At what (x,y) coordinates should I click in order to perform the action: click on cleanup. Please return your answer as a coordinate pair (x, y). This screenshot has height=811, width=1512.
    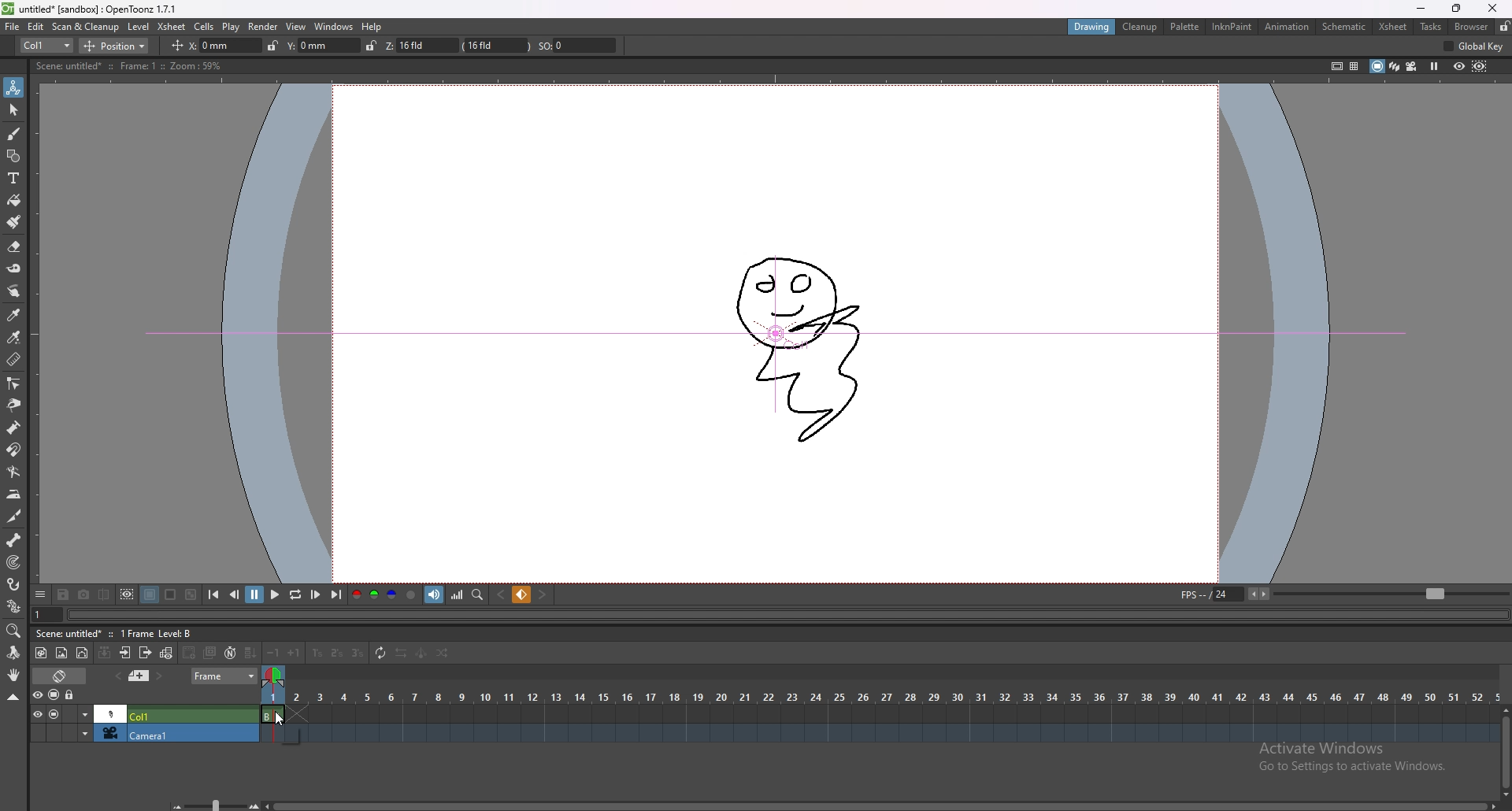
    Looking at the image, I should click on (1140, 27).